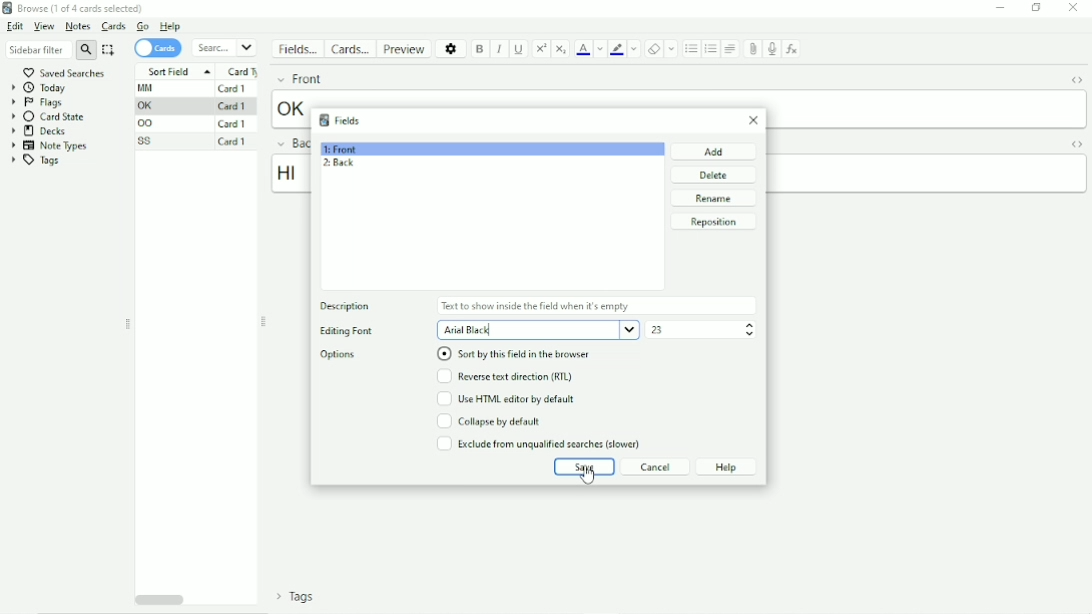  Describe the element at coordinates (345, 148) in the screenshot. I see `1: Front` at that location.